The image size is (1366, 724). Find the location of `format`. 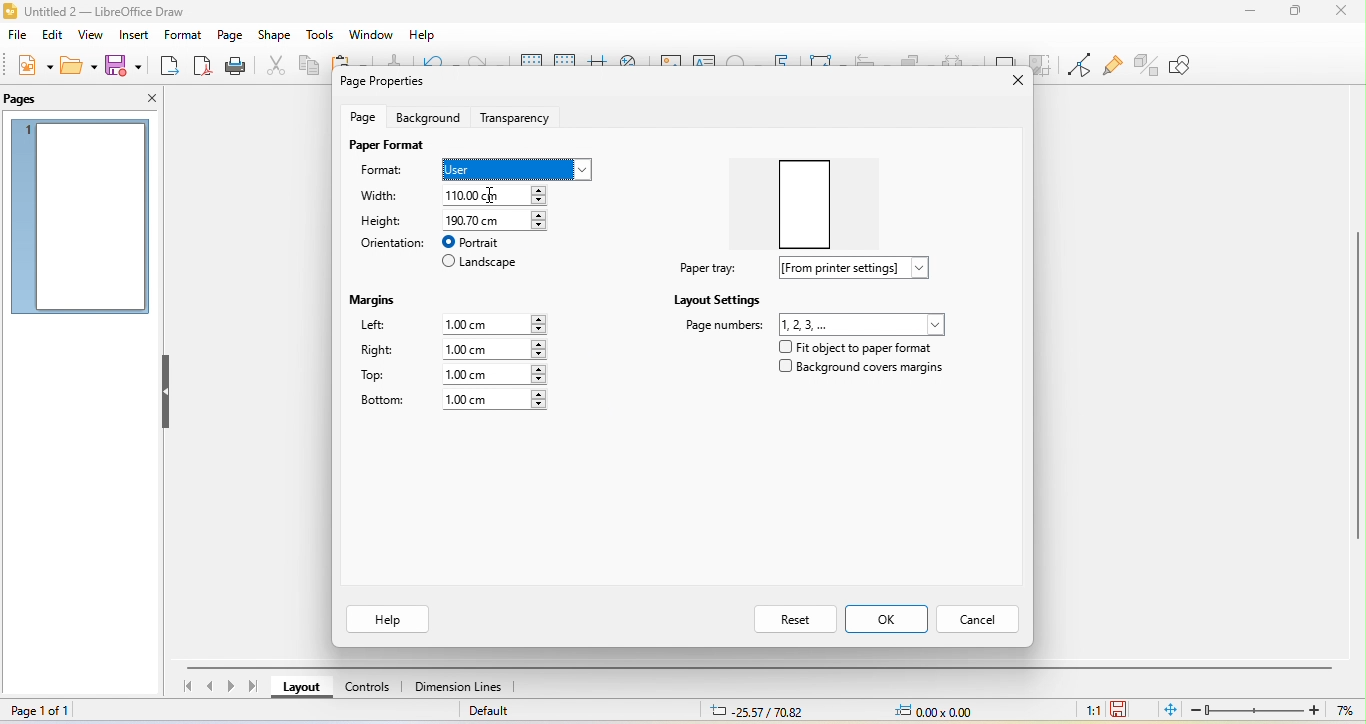

format is located at coordinates (180, 37).